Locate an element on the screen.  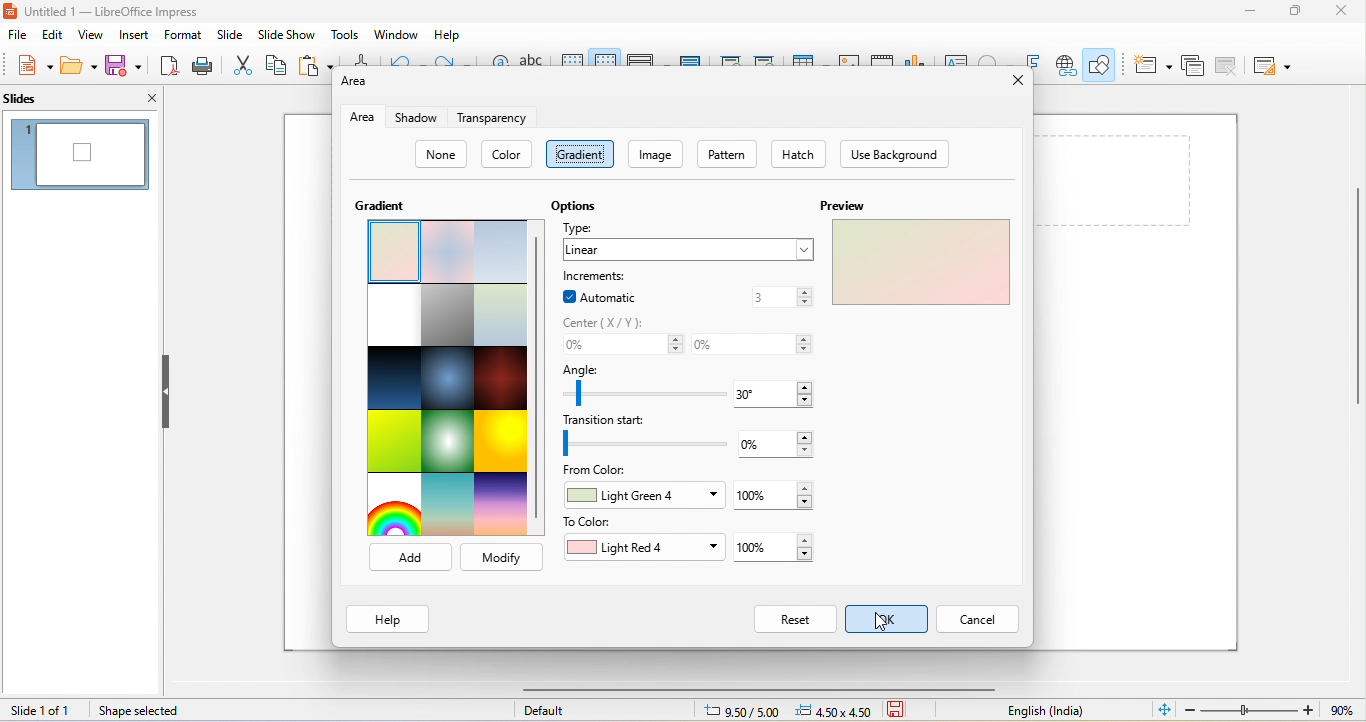
copy is located at coordinates (277, 63).